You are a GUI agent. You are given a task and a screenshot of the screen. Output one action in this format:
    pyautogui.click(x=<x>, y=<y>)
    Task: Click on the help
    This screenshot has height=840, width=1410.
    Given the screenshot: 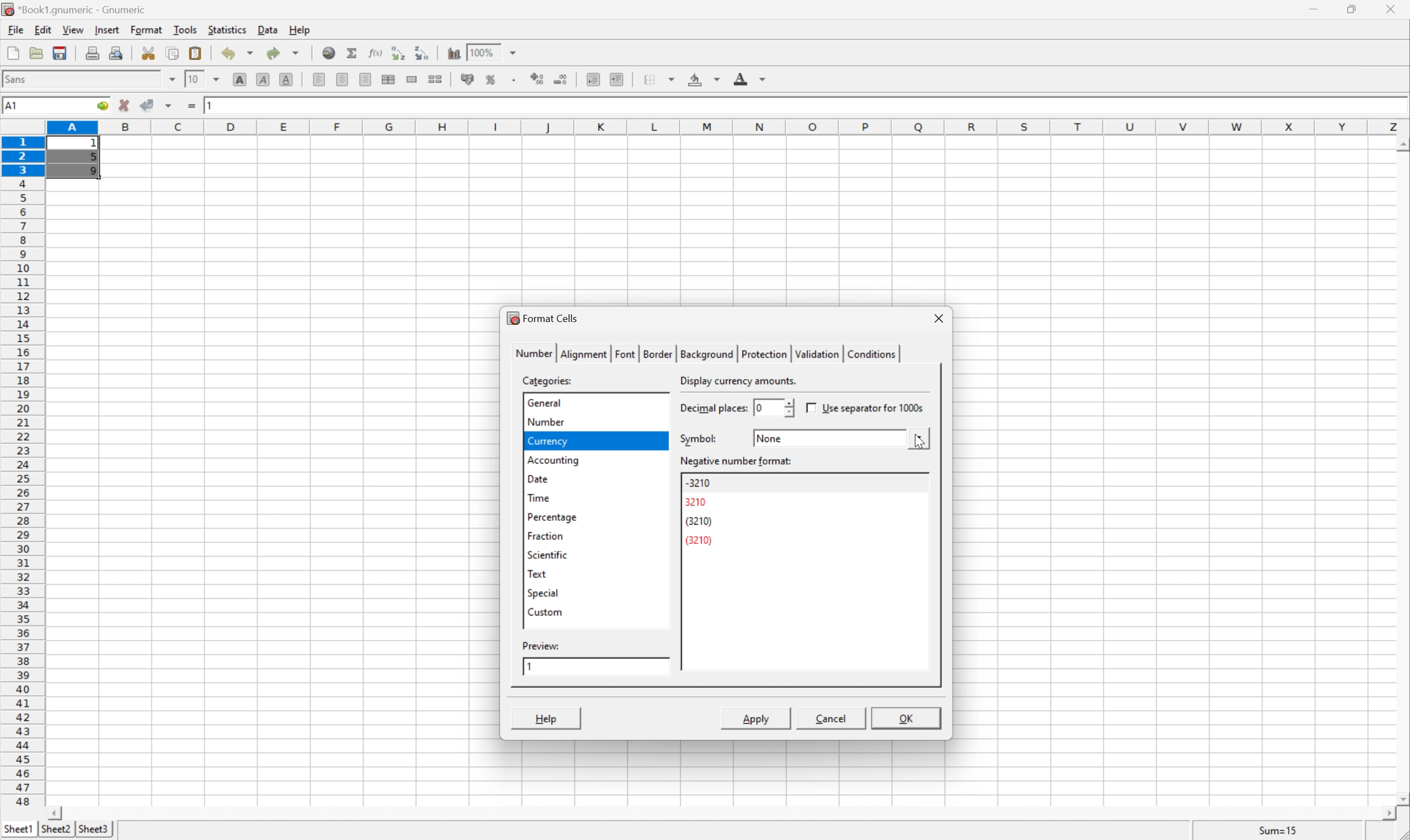 What is the action you would take?
    pyautogui.click(x=301, y=29)
    